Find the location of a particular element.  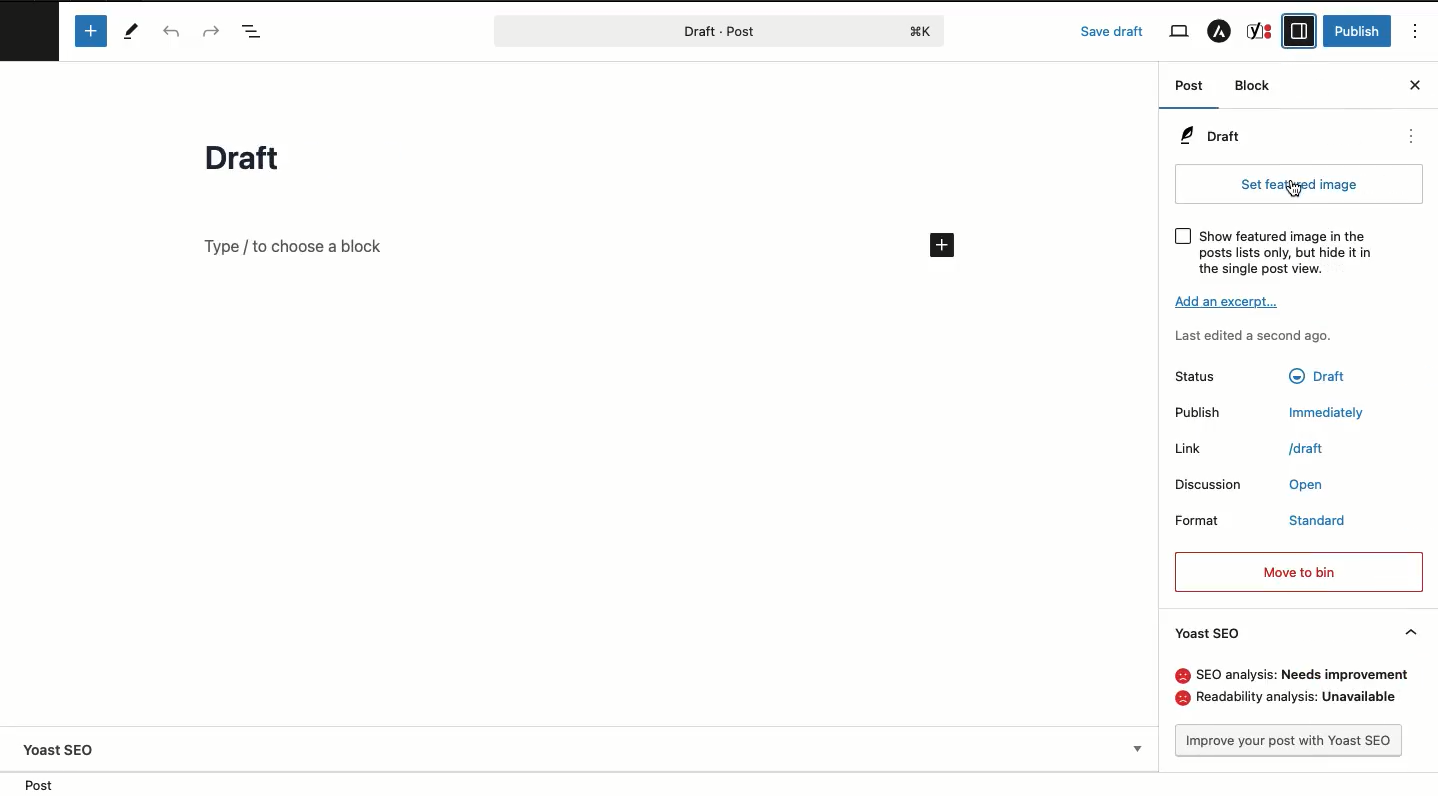

Add new block is located at coordinates (296, 245).